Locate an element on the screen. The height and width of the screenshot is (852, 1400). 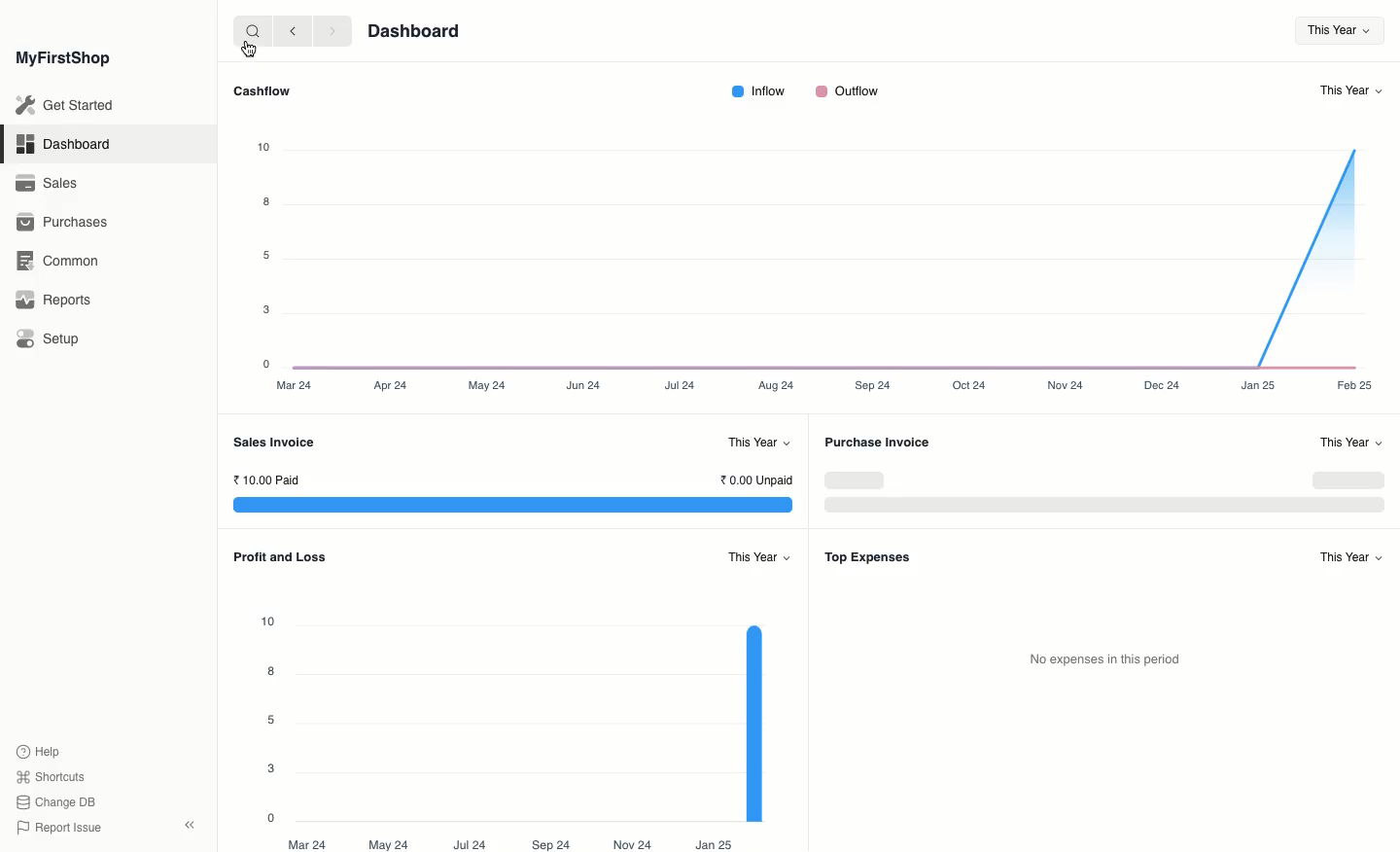
Get Started is located at coordinates (66, 106).